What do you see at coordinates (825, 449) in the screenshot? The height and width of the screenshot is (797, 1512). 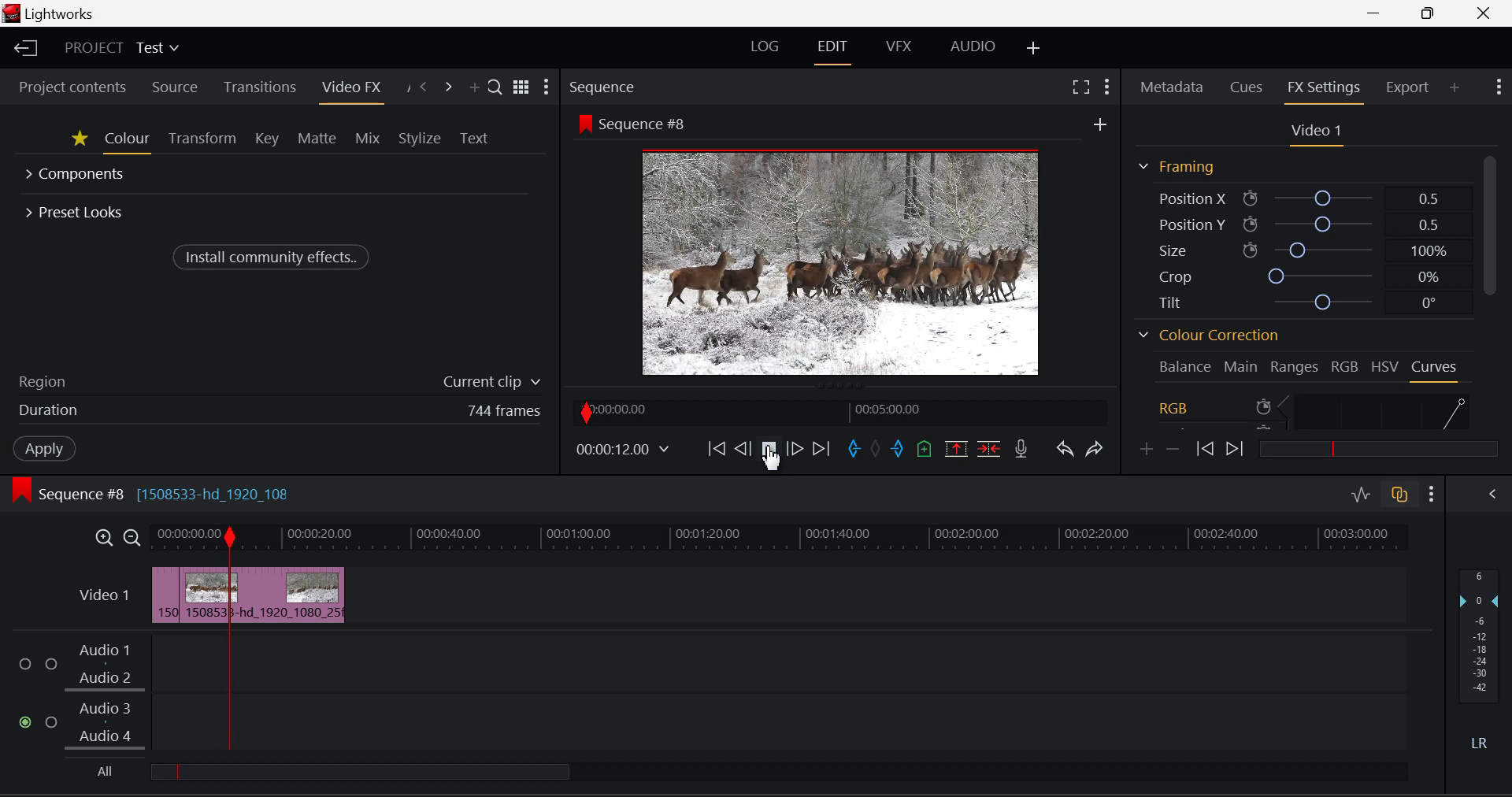 I see `To End` at bounding box center [825, 449].